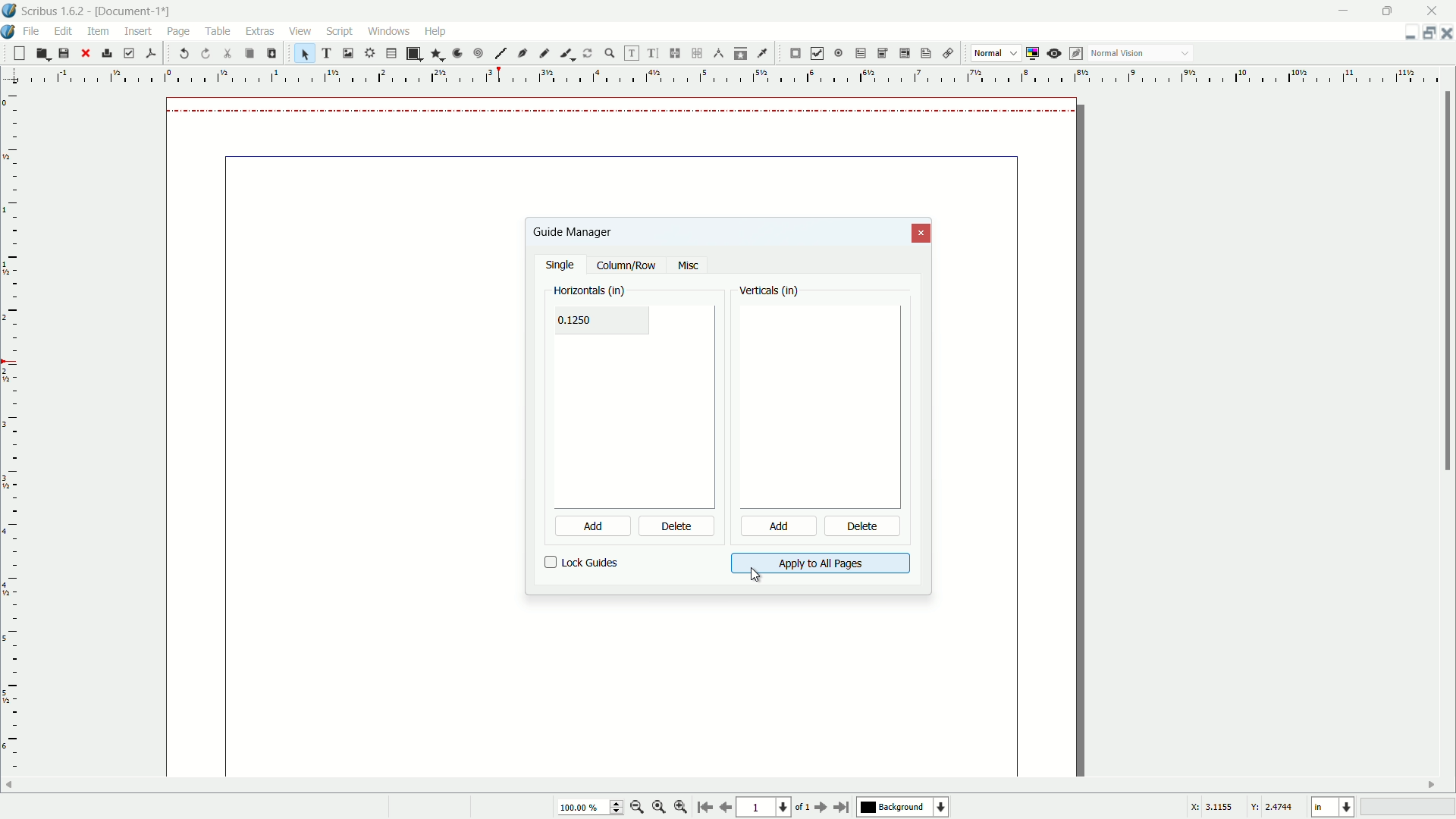 Image resolution: width=1456 pixels, height=819 pixels. I want to click on paste, so click(271, 53).